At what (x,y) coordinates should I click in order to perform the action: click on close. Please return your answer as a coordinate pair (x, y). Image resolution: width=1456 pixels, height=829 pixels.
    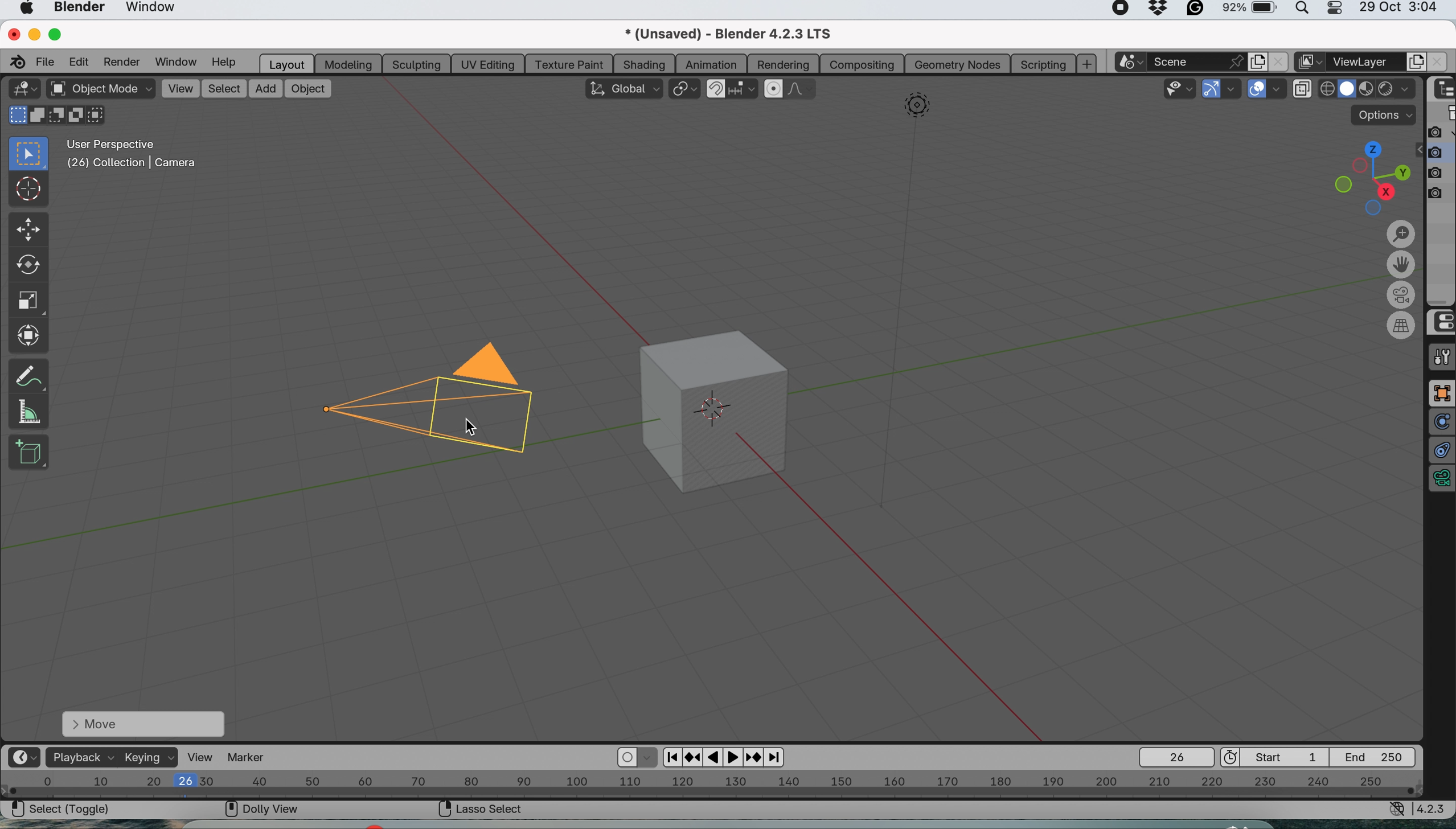
    Looking at the image, I should click on (1277, 61).